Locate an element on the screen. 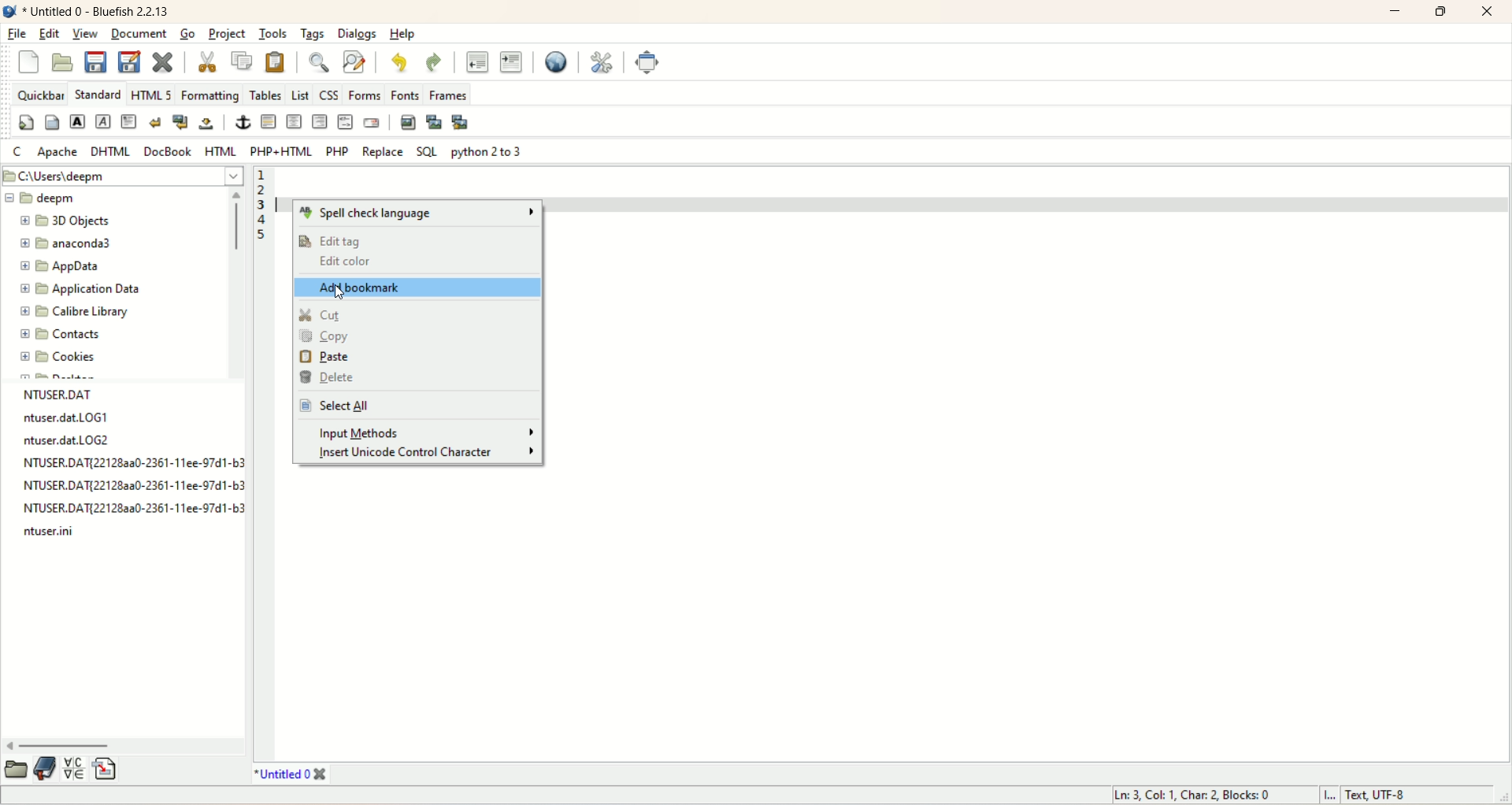  spell check language is located at coordinates (419, 212).